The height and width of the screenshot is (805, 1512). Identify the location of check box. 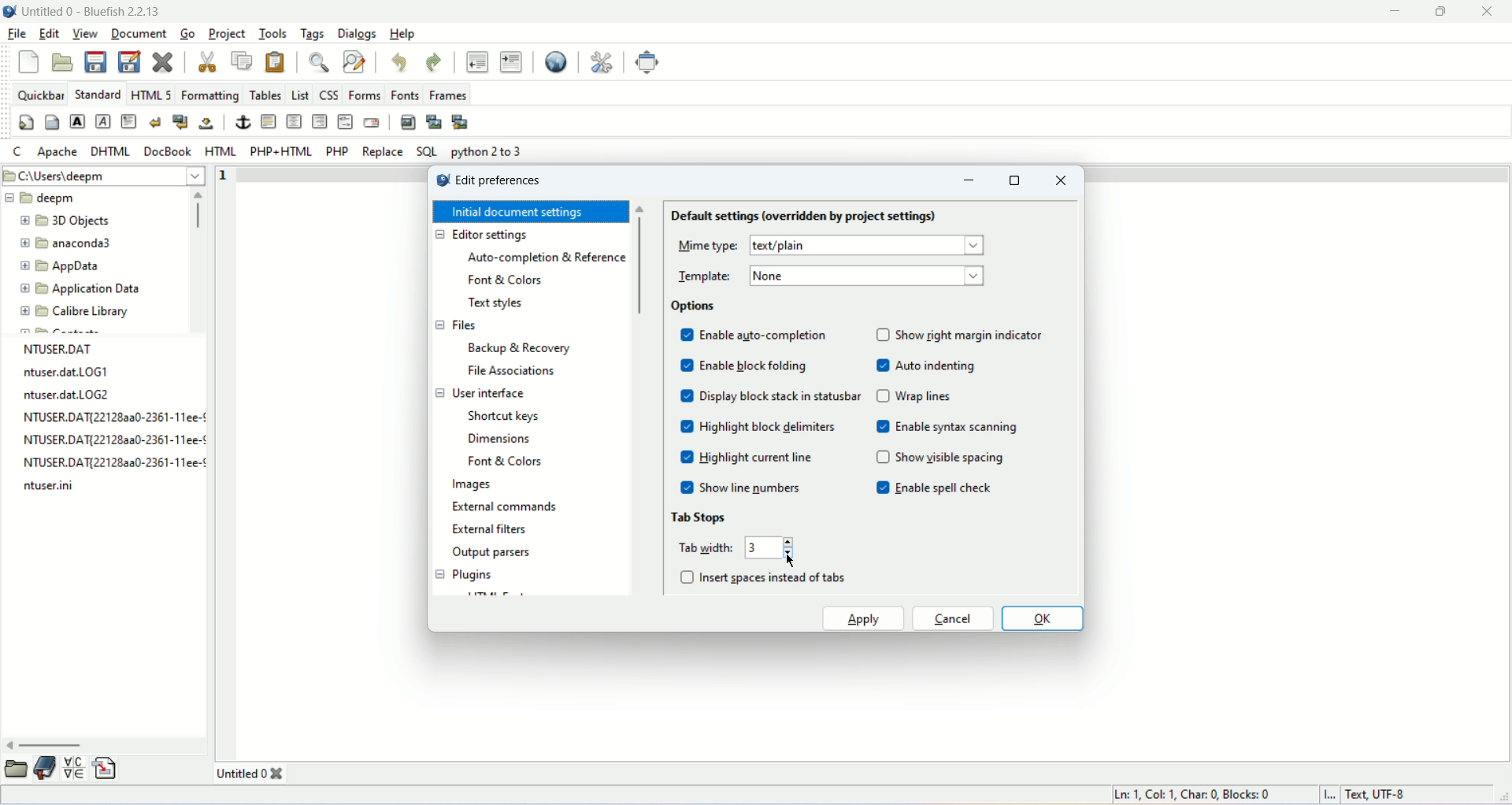
(683, 410).